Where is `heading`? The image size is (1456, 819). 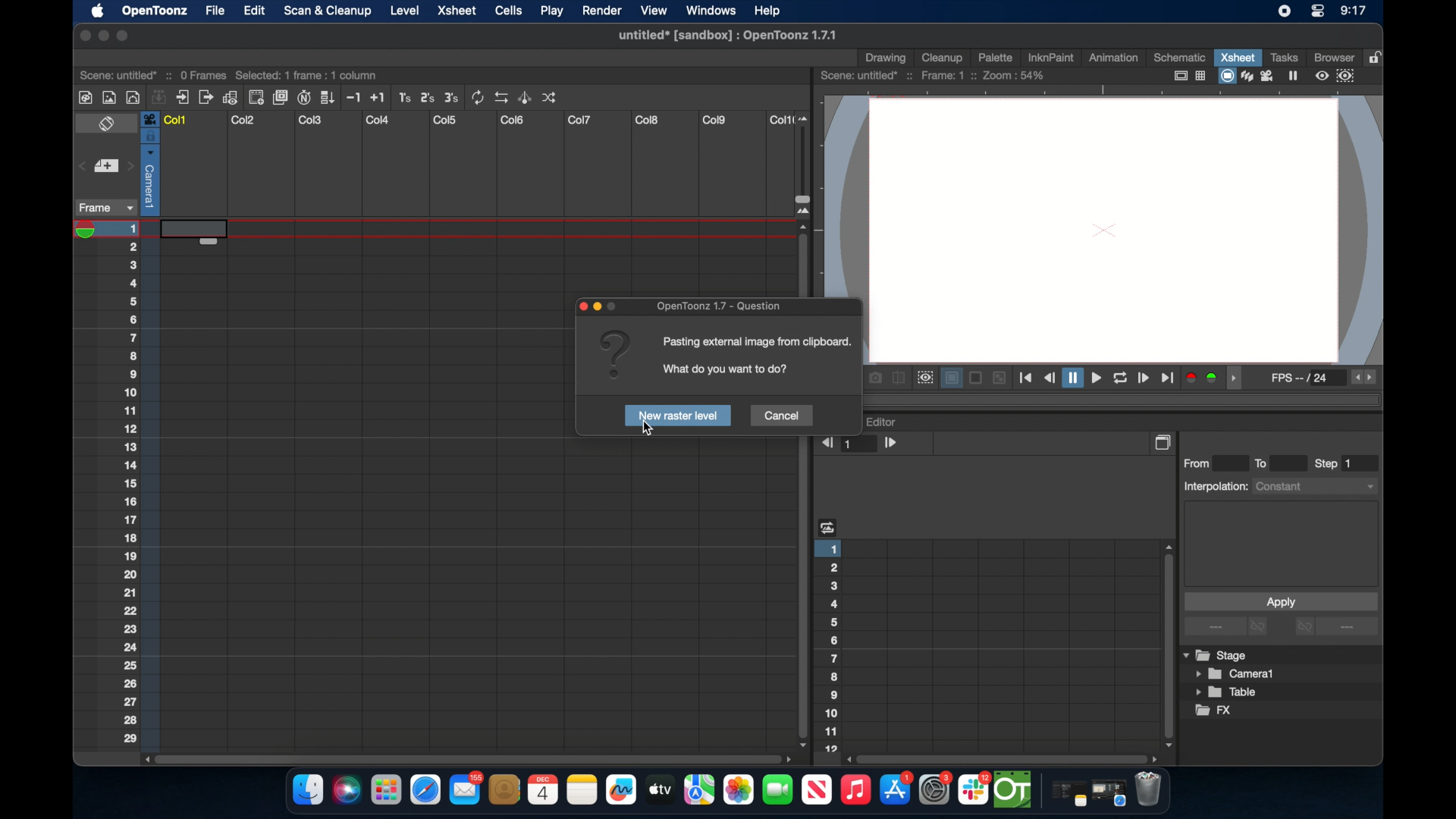 heading is located at coordinates (828, 526).